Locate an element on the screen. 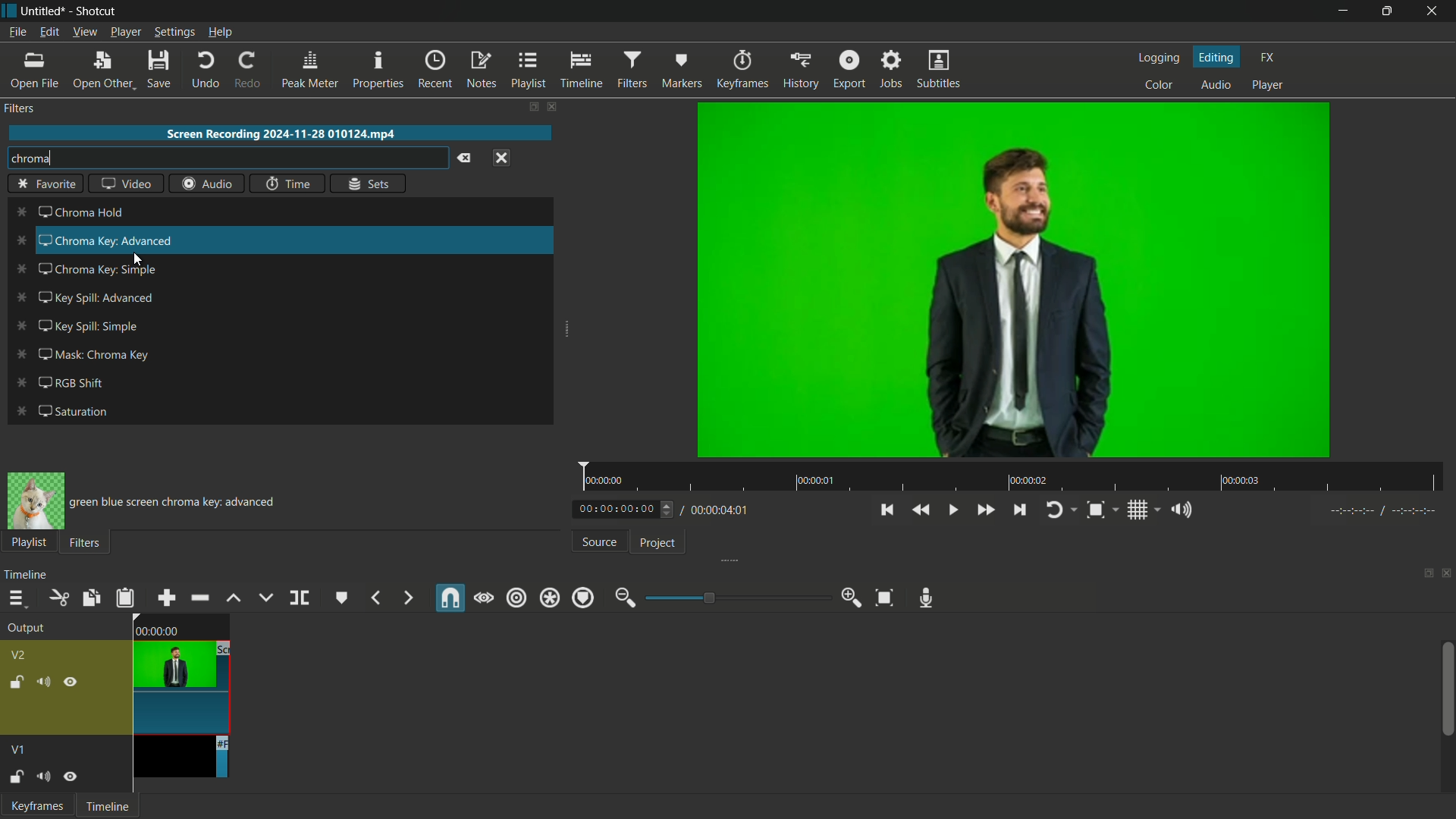  recent is located at coordinates (435, 71).